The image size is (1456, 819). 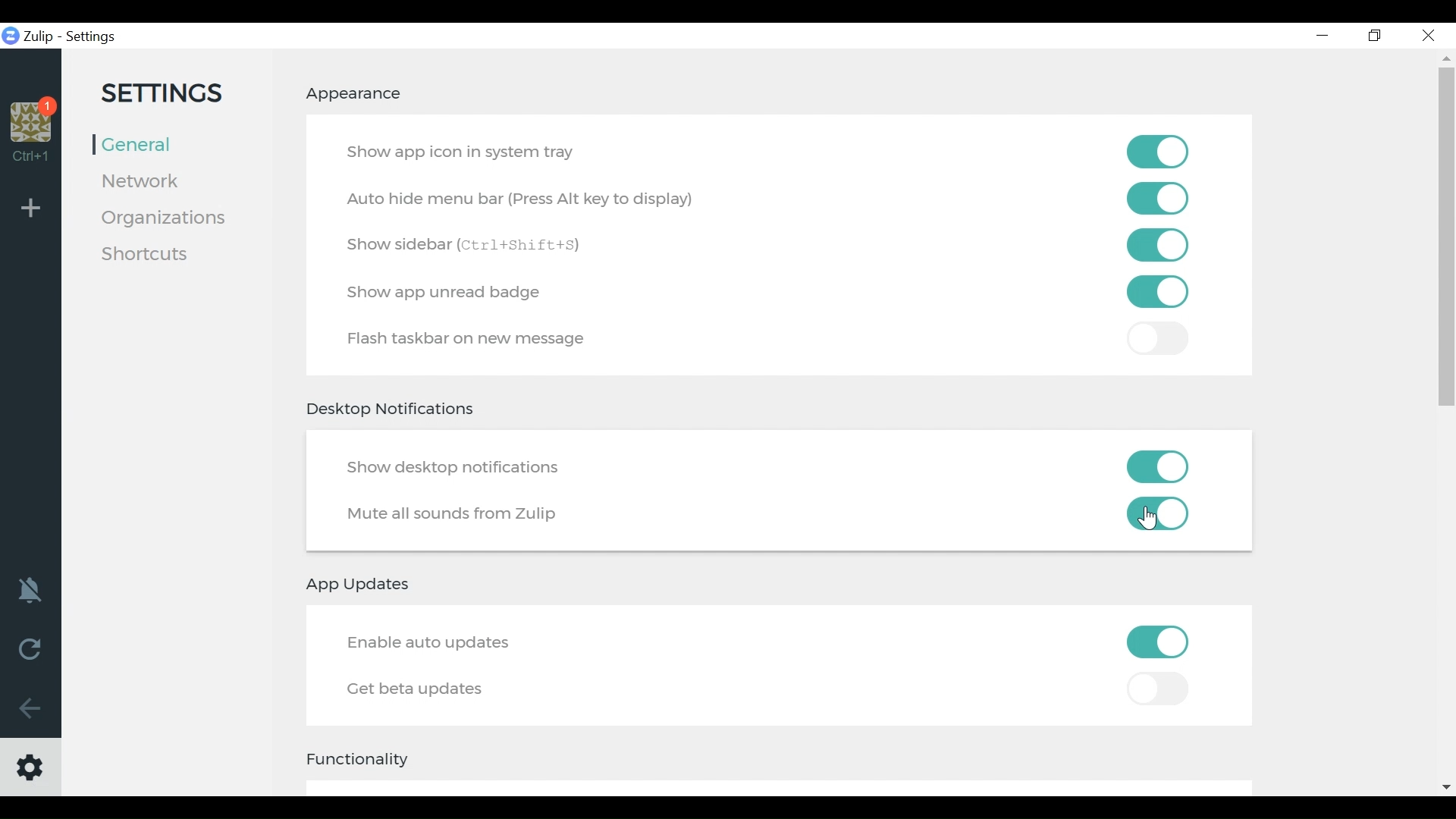 What do you see at coordinates (147, 180) in the screenshot?
I see `Network` at bounding box center [147, 180].